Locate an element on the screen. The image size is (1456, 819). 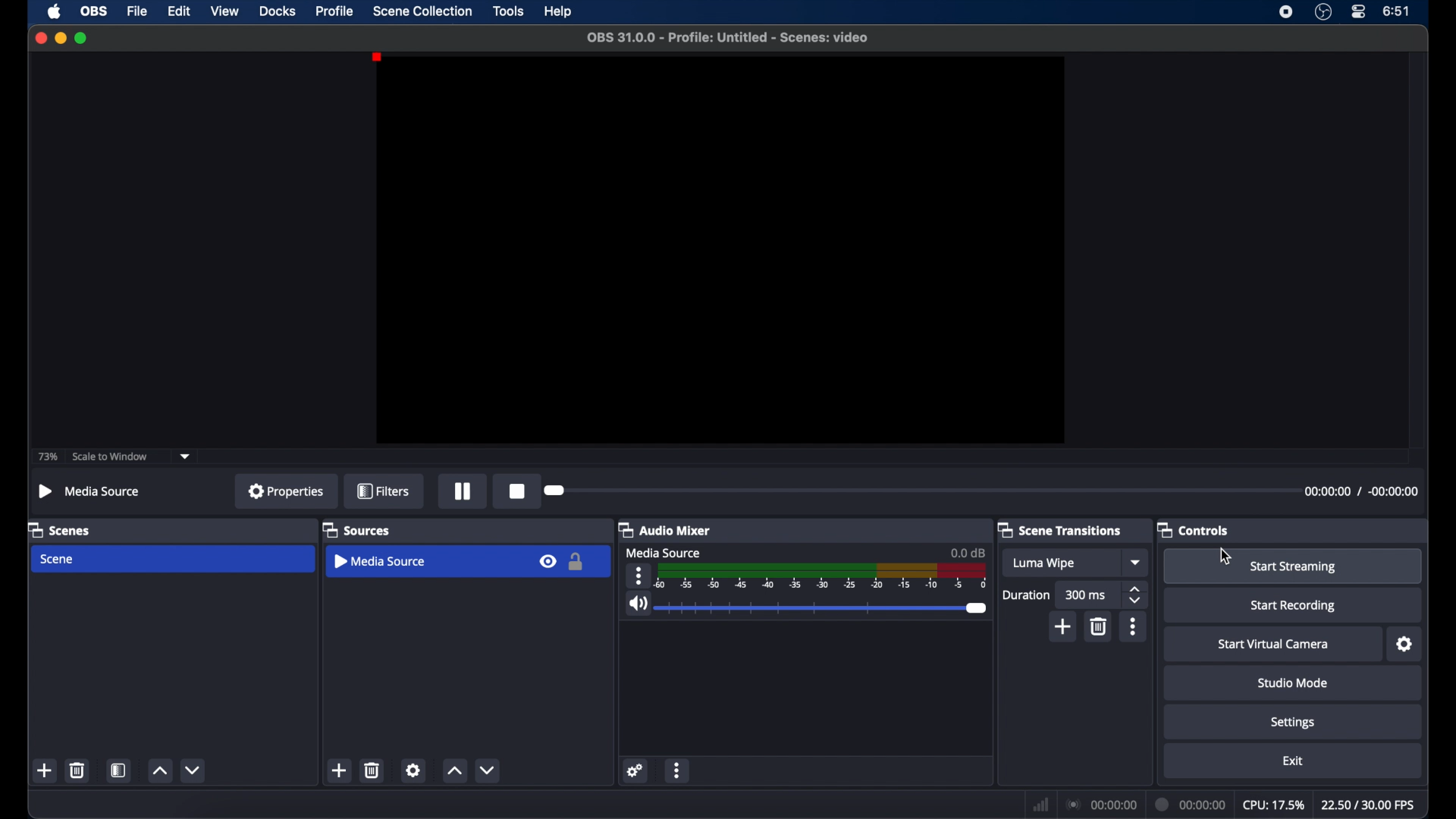
screen recorder icon is located at coordinates (1286, 11).